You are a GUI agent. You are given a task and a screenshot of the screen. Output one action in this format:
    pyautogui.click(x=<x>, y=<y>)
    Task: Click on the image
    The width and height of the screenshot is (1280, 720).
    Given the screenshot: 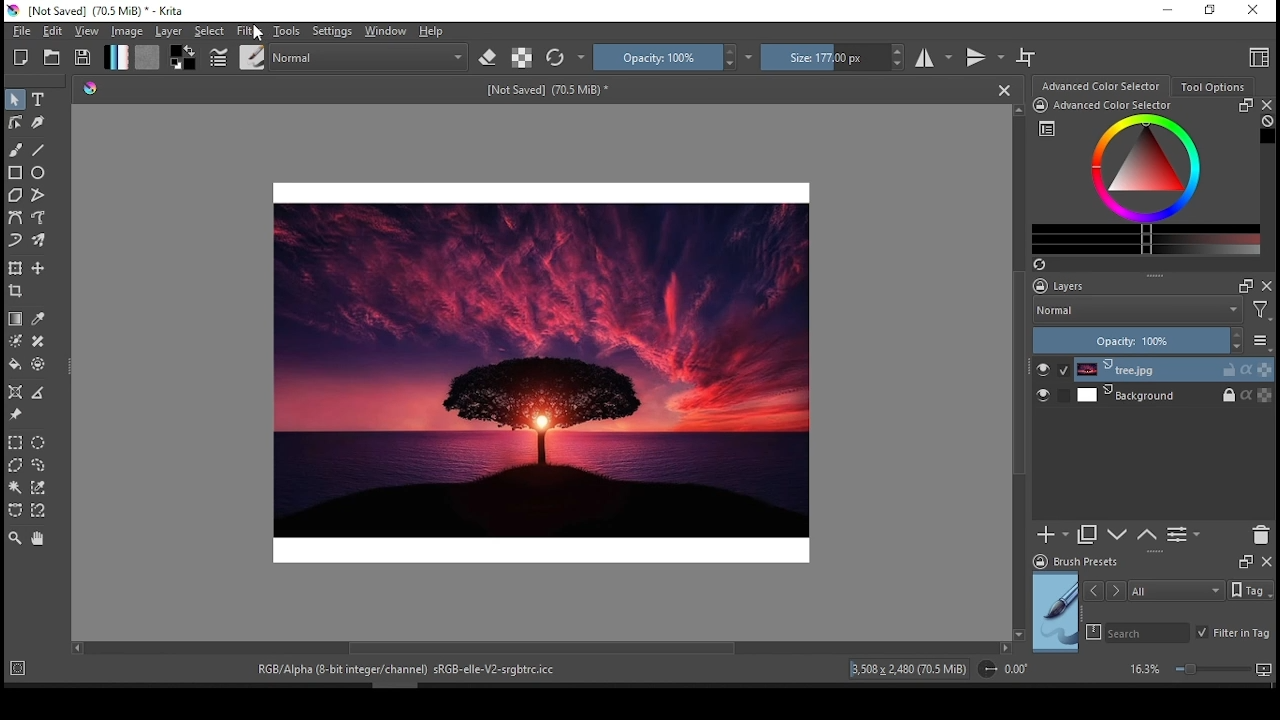 What is the action you would take?
    pyautogui.click(x=128, y=32)
    